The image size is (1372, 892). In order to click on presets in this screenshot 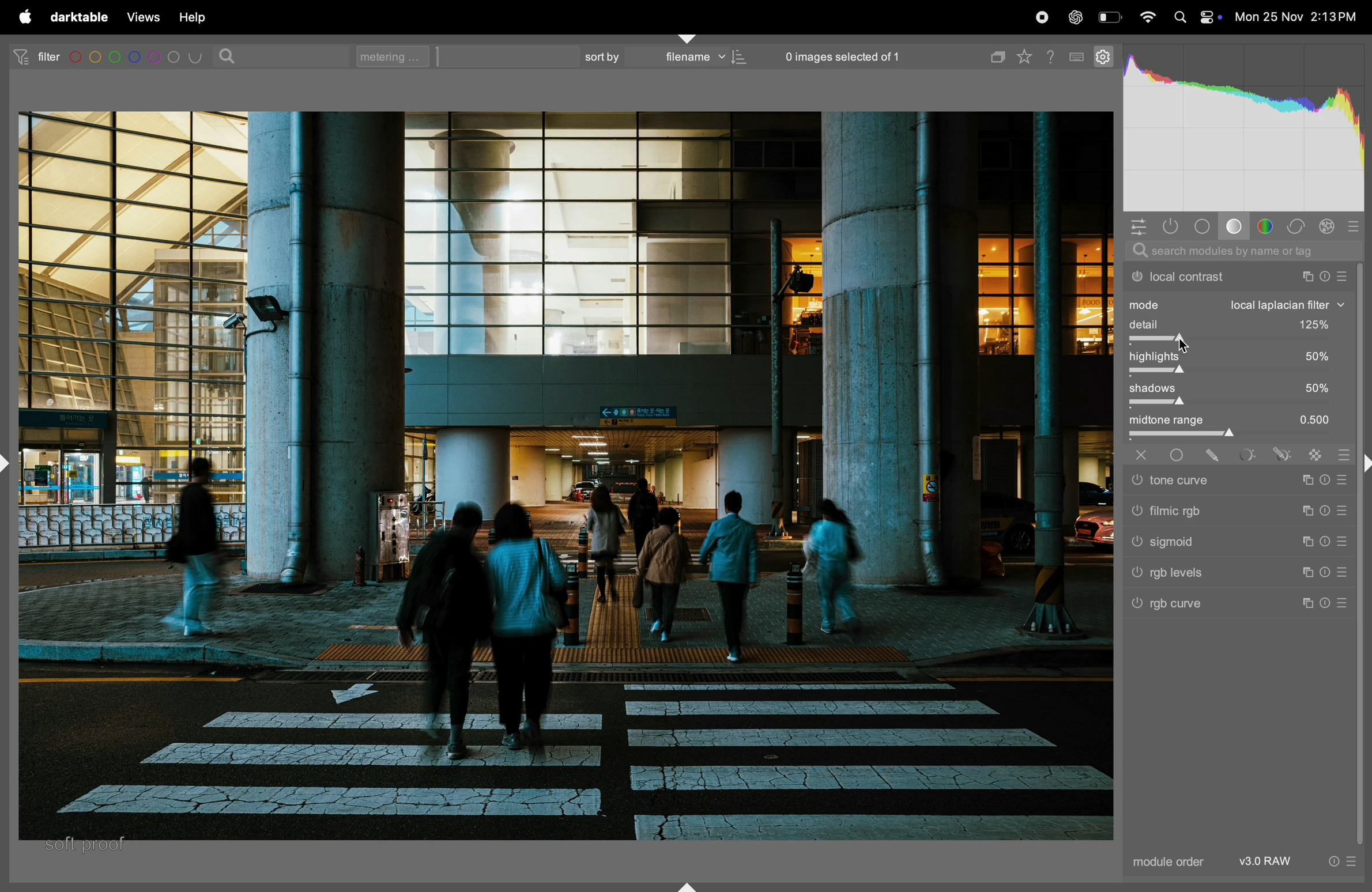, I will do `click(1355, 225)`.